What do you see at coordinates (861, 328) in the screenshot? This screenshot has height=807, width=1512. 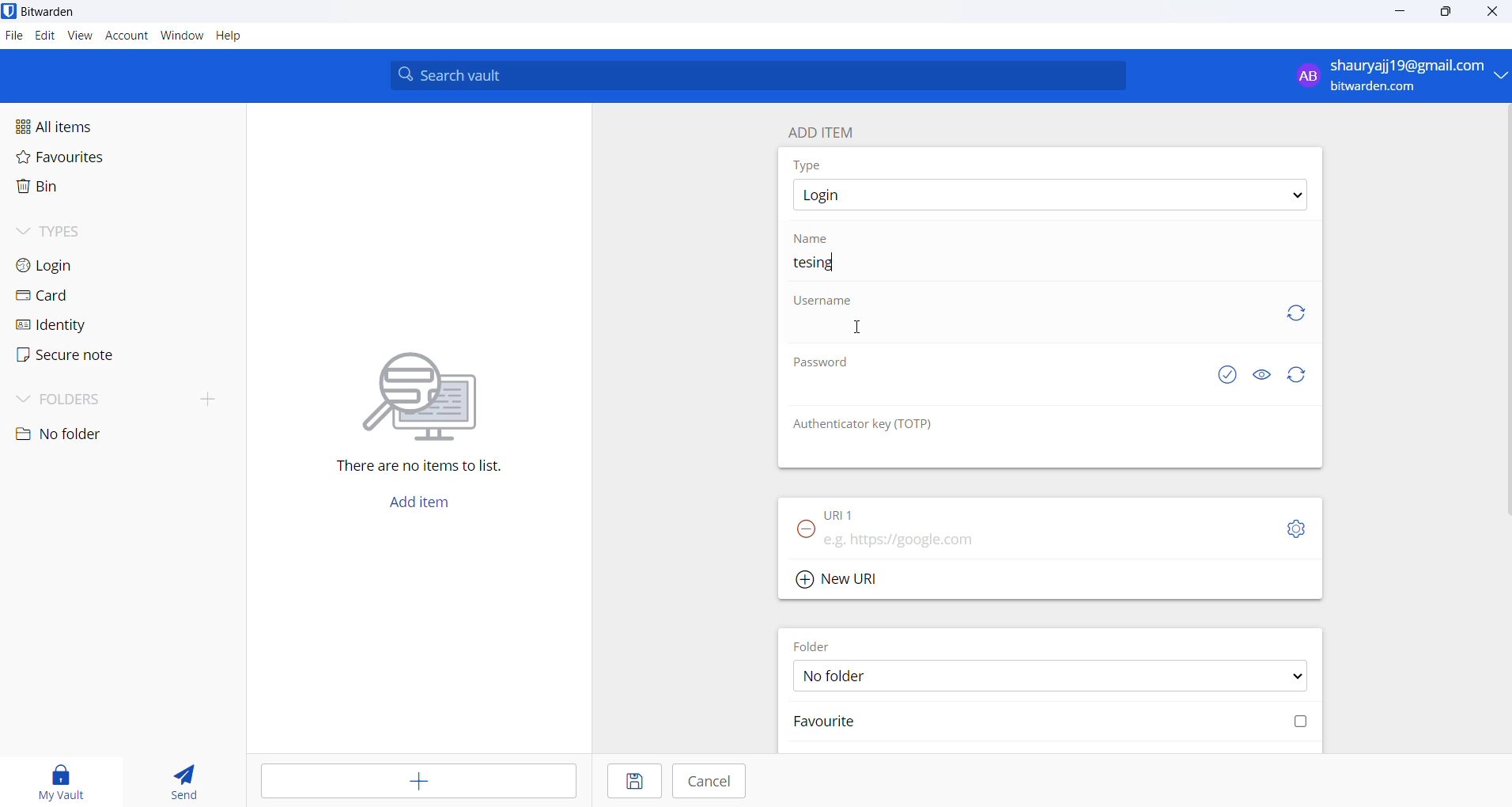 I see `CURSOR` at bounding box center [861, 328].